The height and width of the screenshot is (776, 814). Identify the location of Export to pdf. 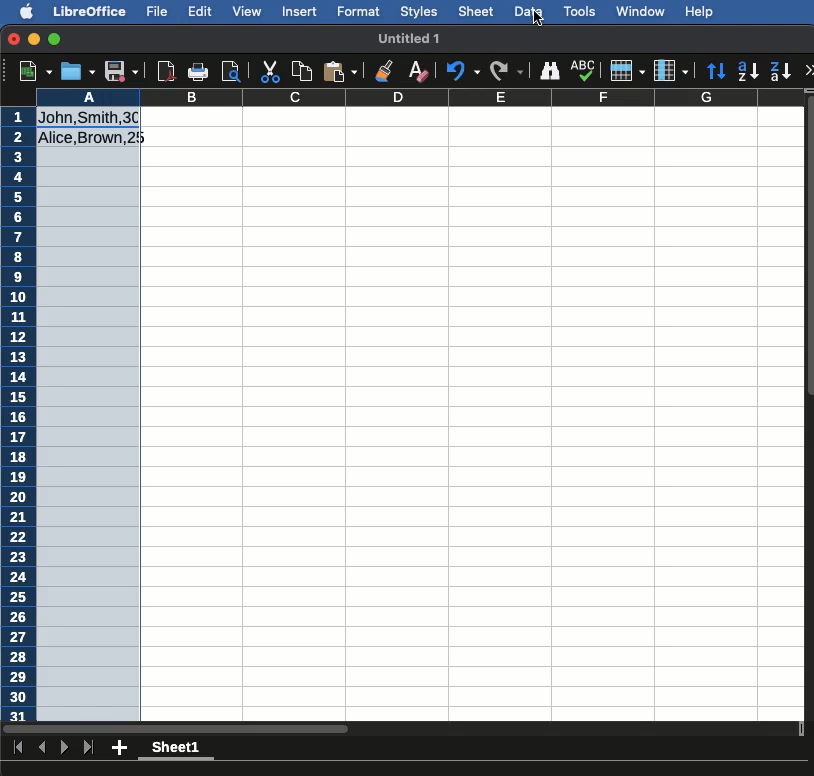
(165, 71).